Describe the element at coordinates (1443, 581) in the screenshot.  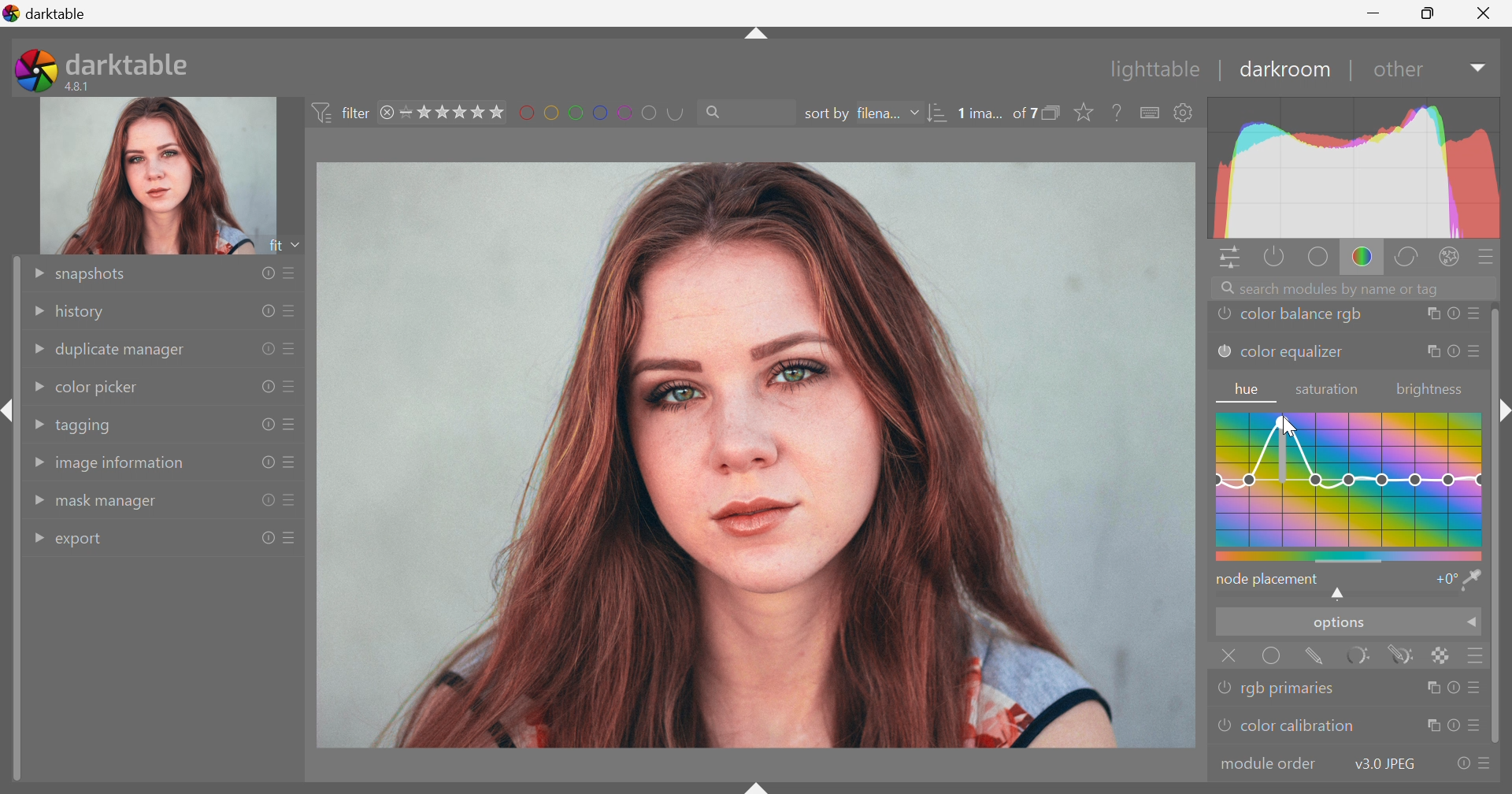
I see `+0°` at that location.